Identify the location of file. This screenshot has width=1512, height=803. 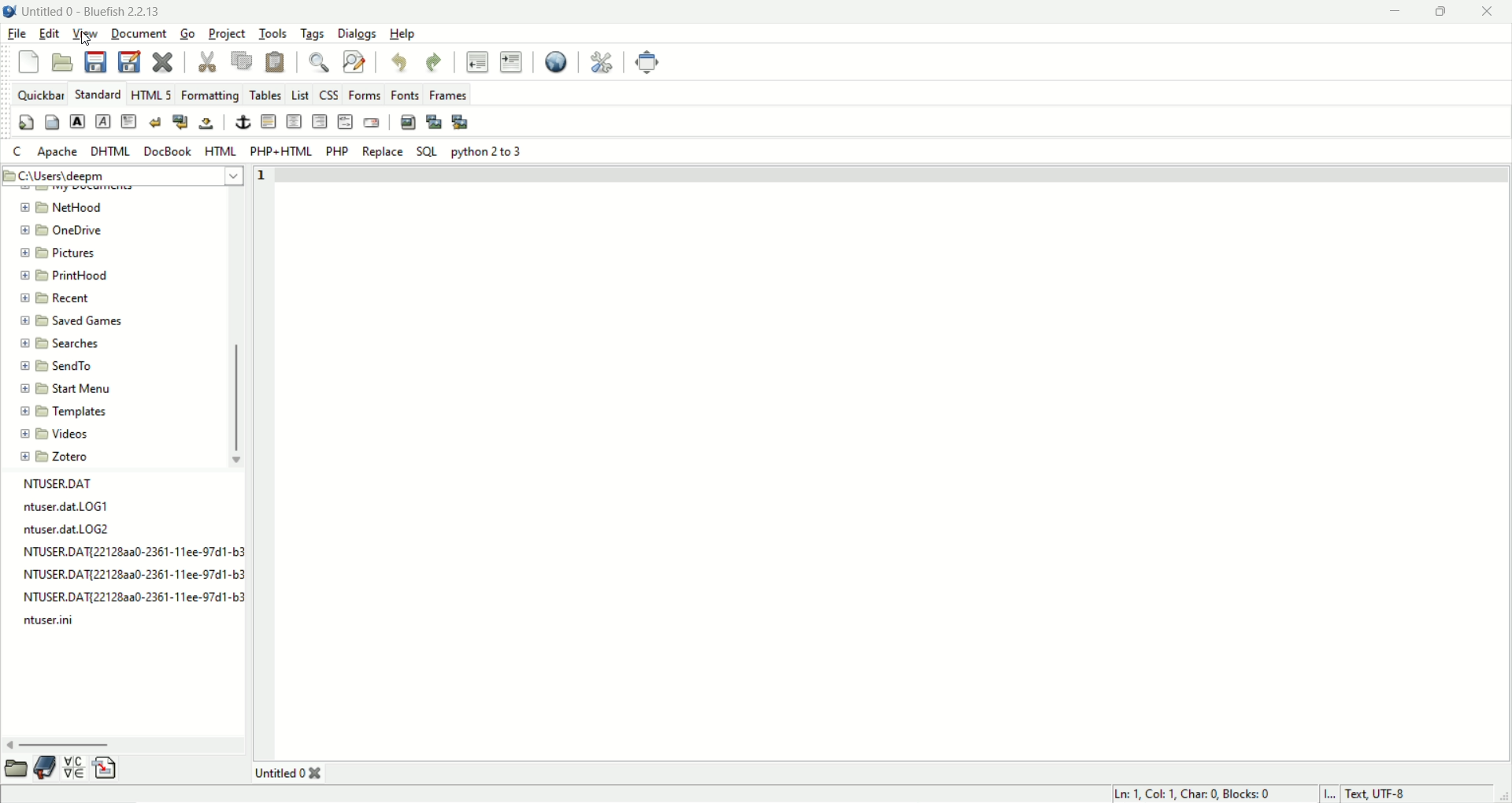
(135, 553).